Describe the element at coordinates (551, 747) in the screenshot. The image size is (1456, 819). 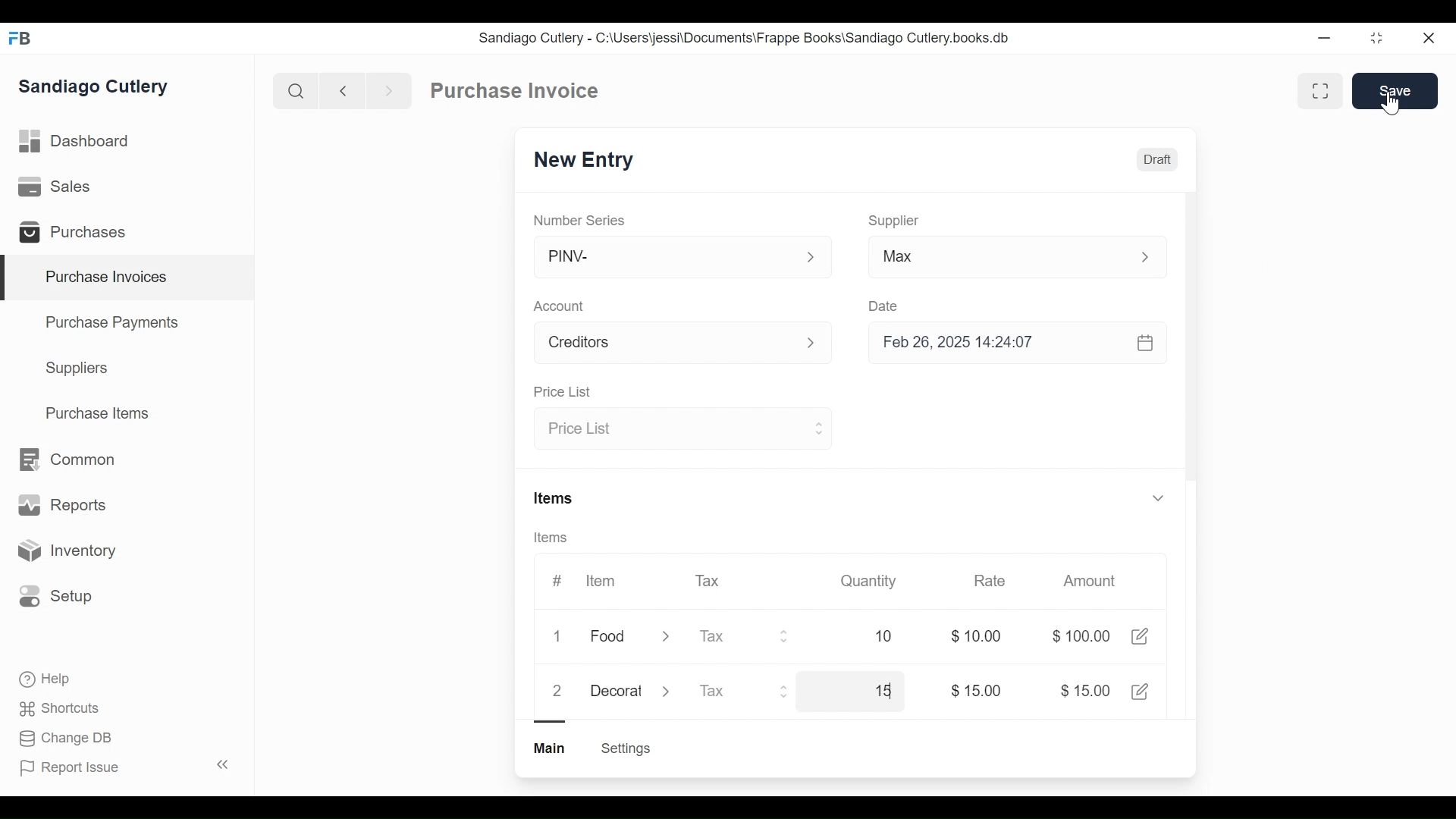
I see `Main` at that location.